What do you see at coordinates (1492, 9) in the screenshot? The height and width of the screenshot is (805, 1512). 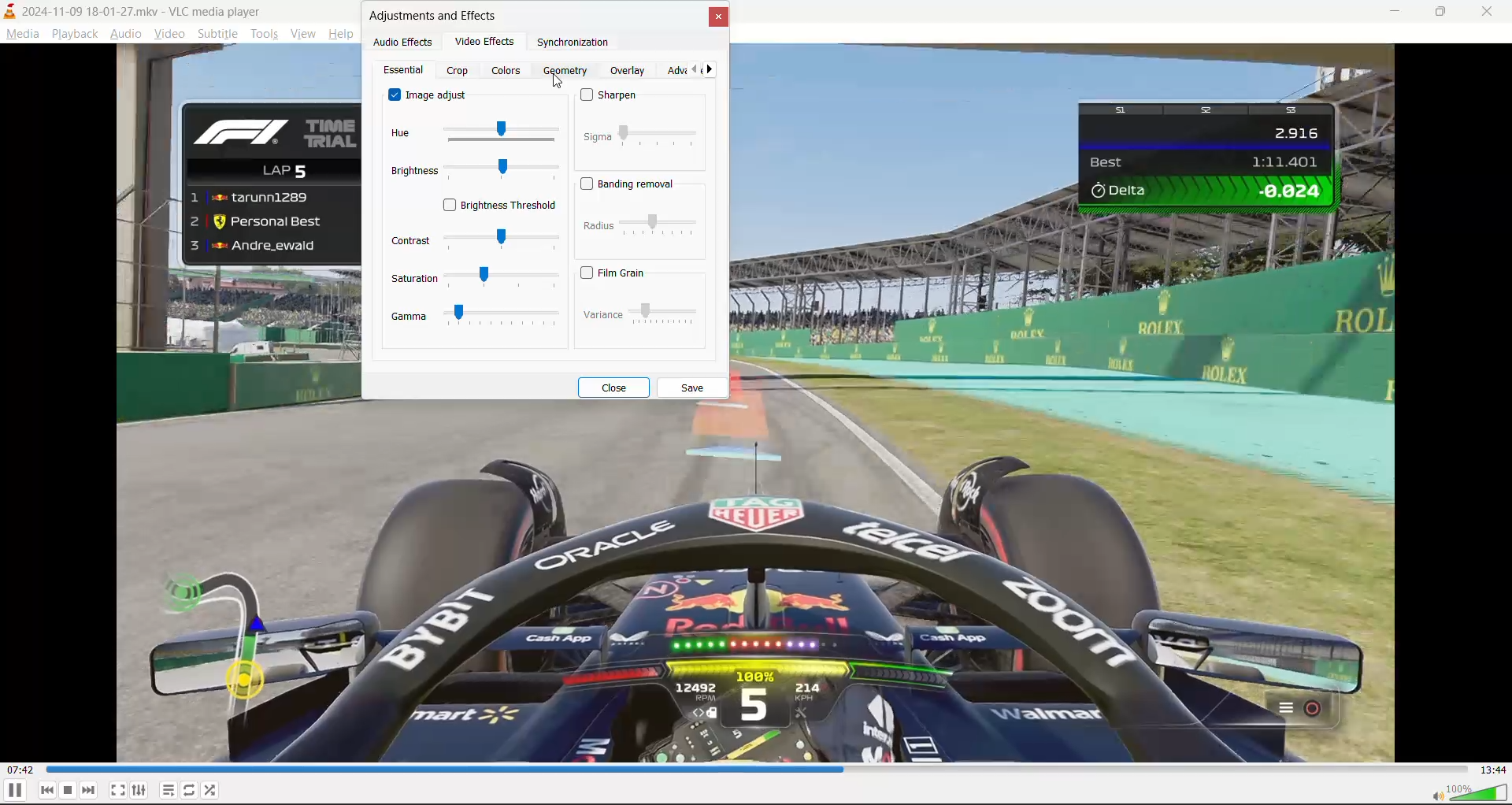 I see `close` at bounding box center [1492, 9].